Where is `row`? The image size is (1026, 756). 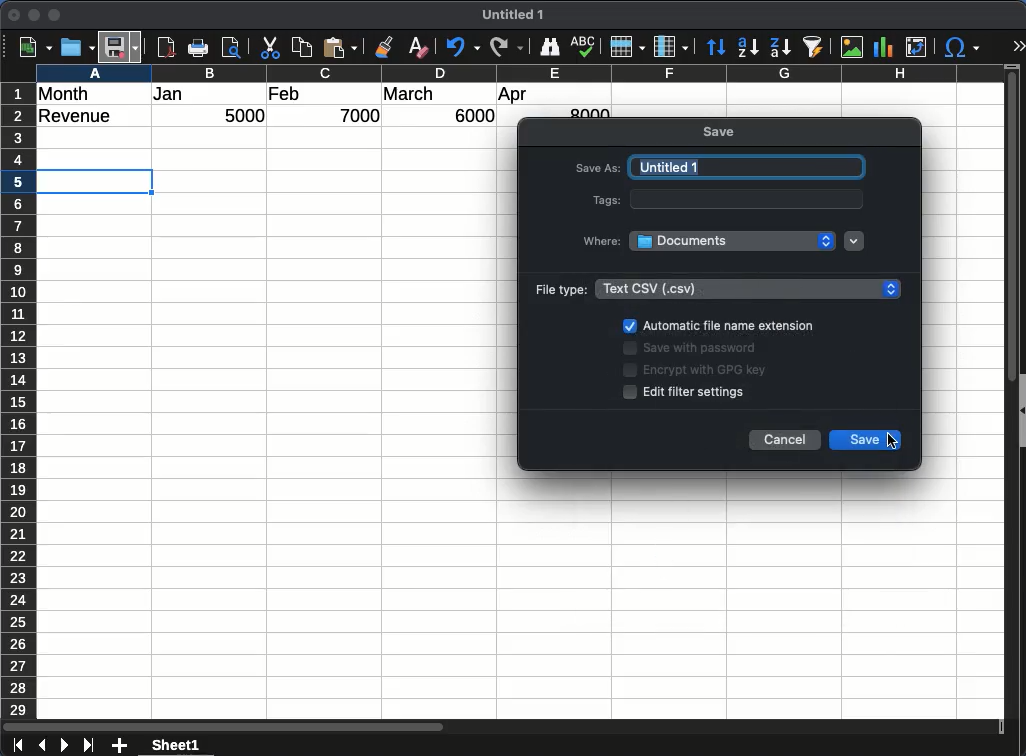
row is located at coordinates (17, 400).